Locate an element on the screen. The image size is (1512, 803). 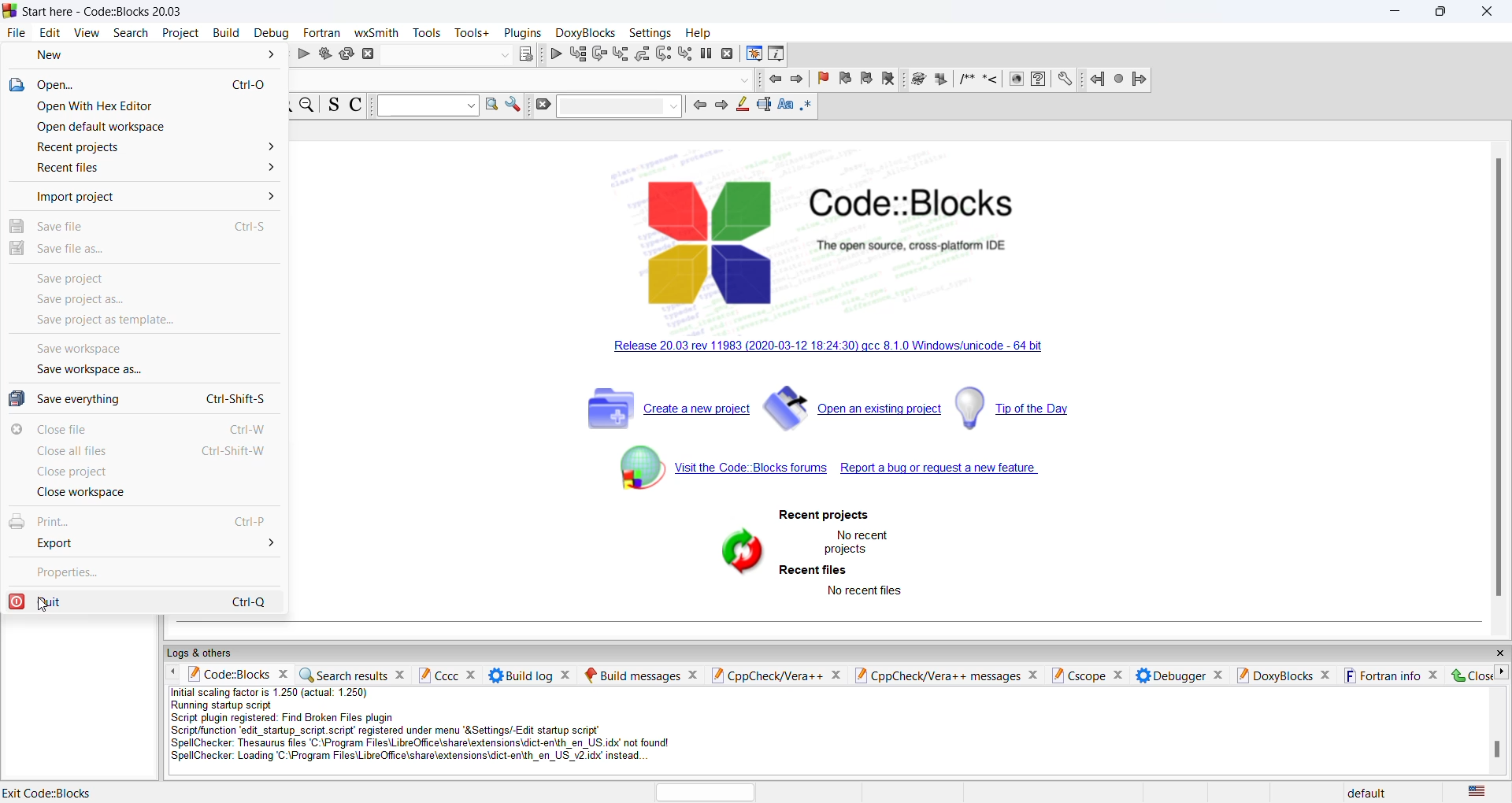
show the select target dialog is located at coordinates (525, 54).